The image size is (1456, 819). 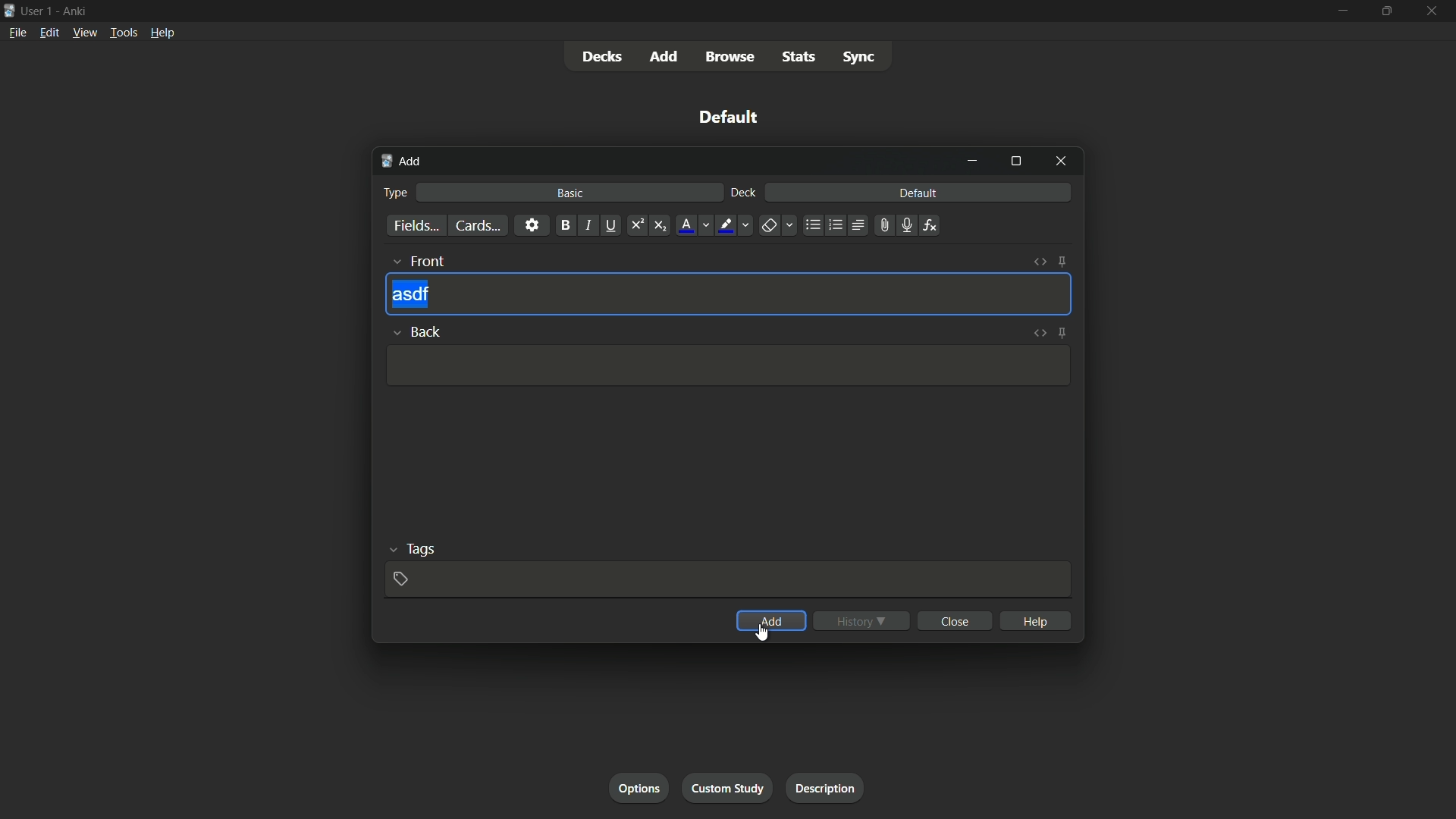 What do you see at coordinates (661, 225) in the screenshot?
I see `subscript` at bounding box center [661, 225].